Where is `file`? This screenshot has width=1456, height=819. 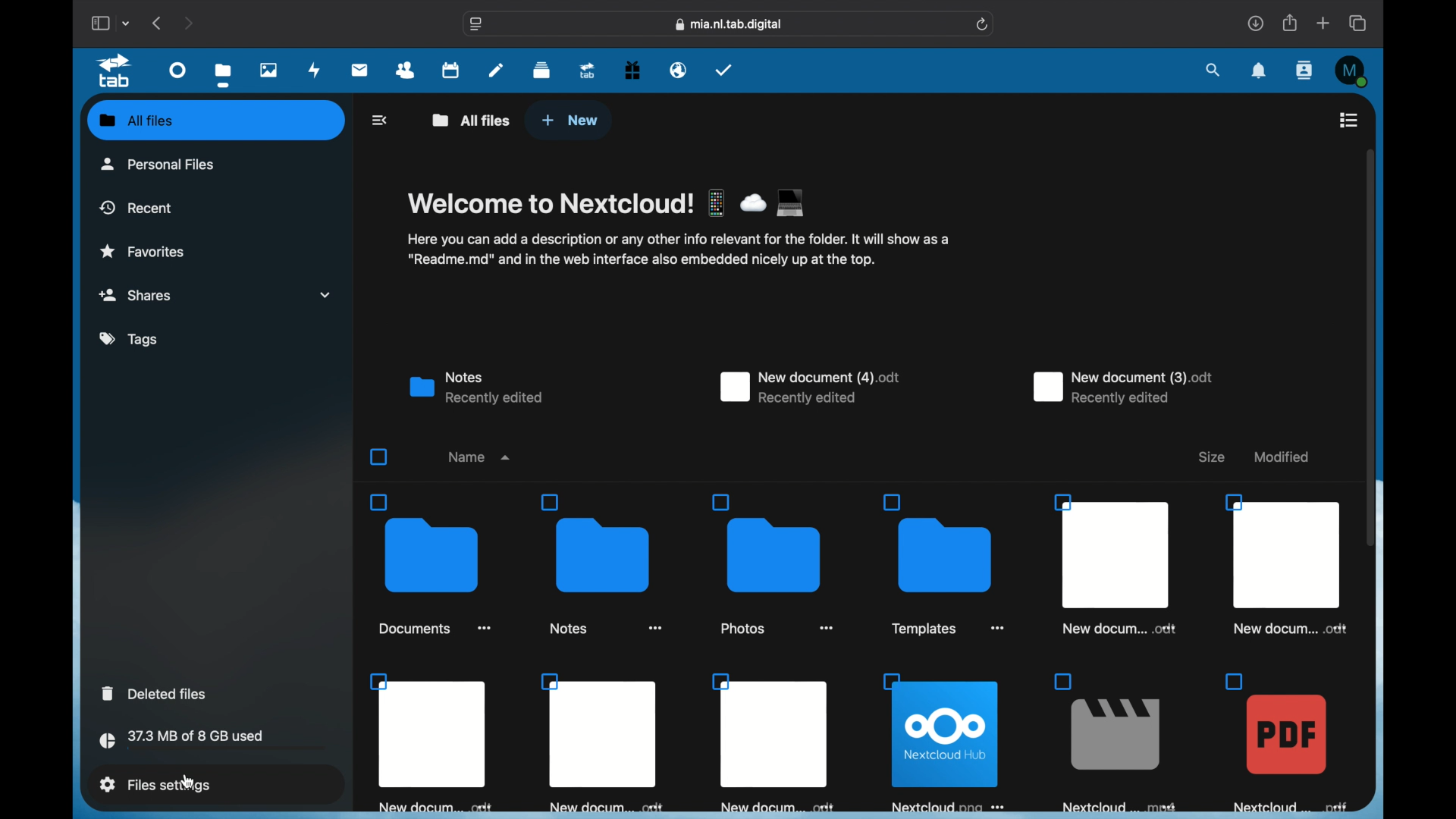 file is located at coordinates (602, 743).